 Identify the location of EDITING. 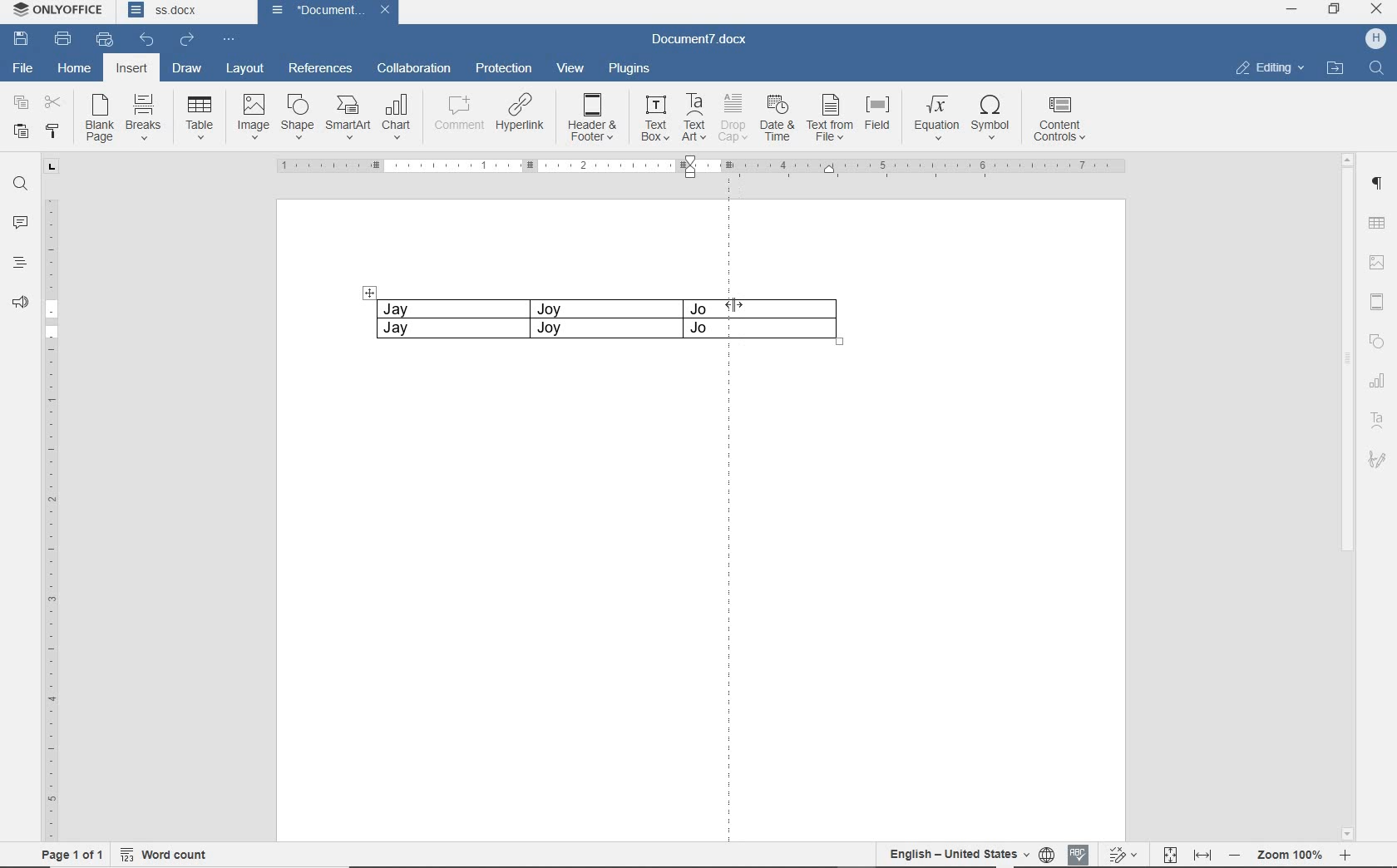
(1270, 70).